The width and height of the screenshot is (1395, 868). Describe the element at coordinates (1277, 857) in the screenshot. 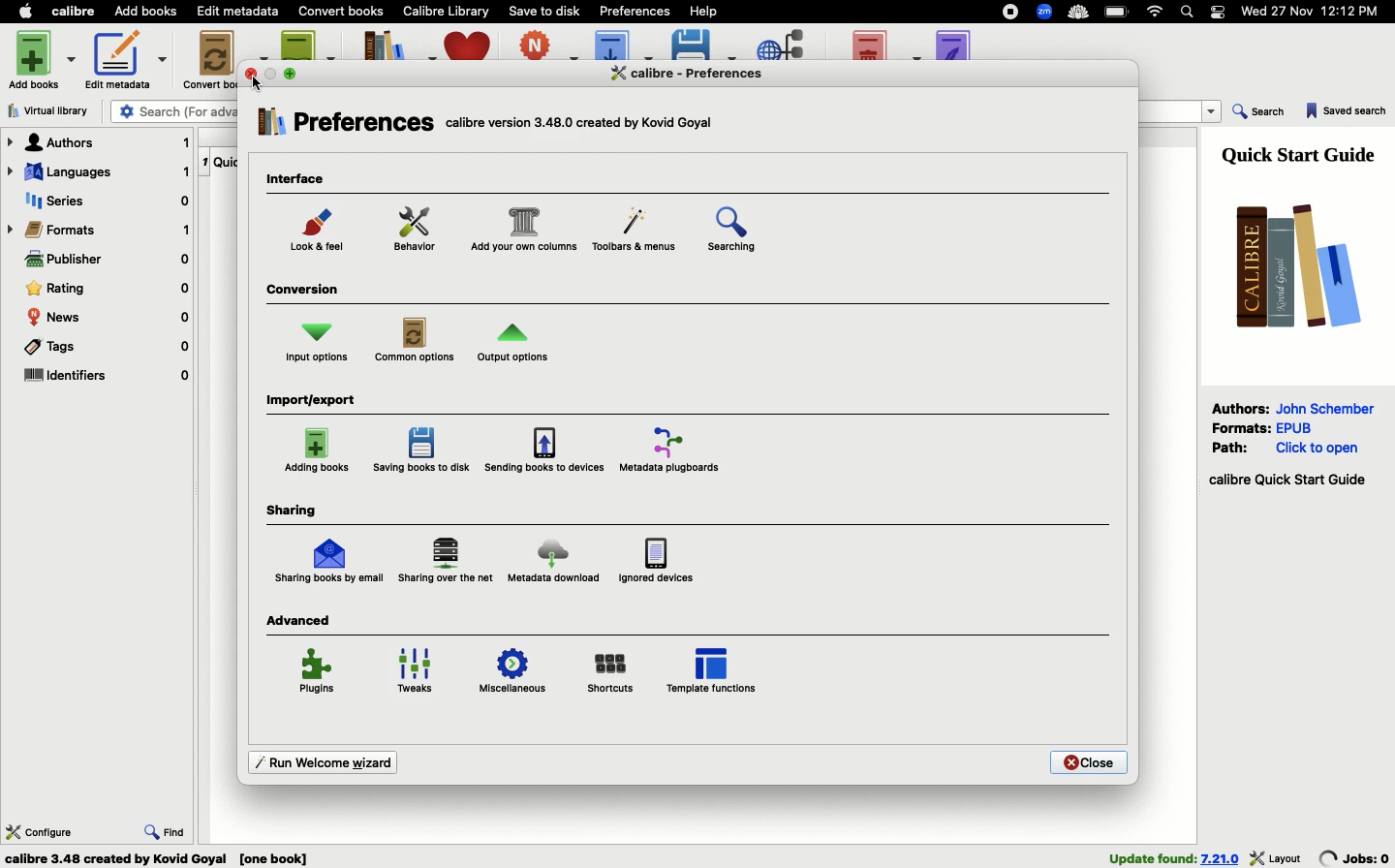

I see `layout` at that location.